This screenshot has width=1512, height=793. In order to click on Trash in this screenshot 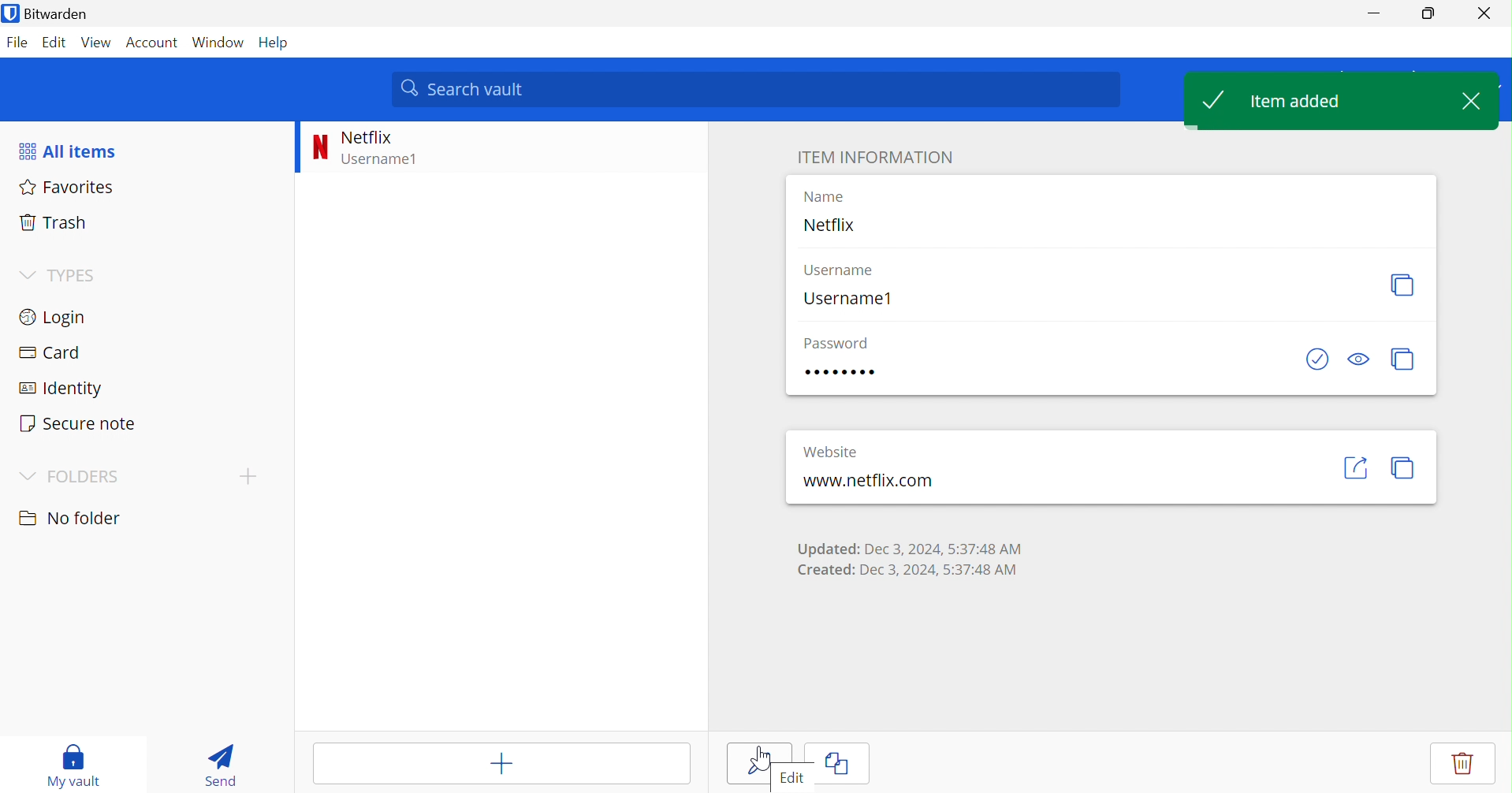, I will do `click(52, 222)`.